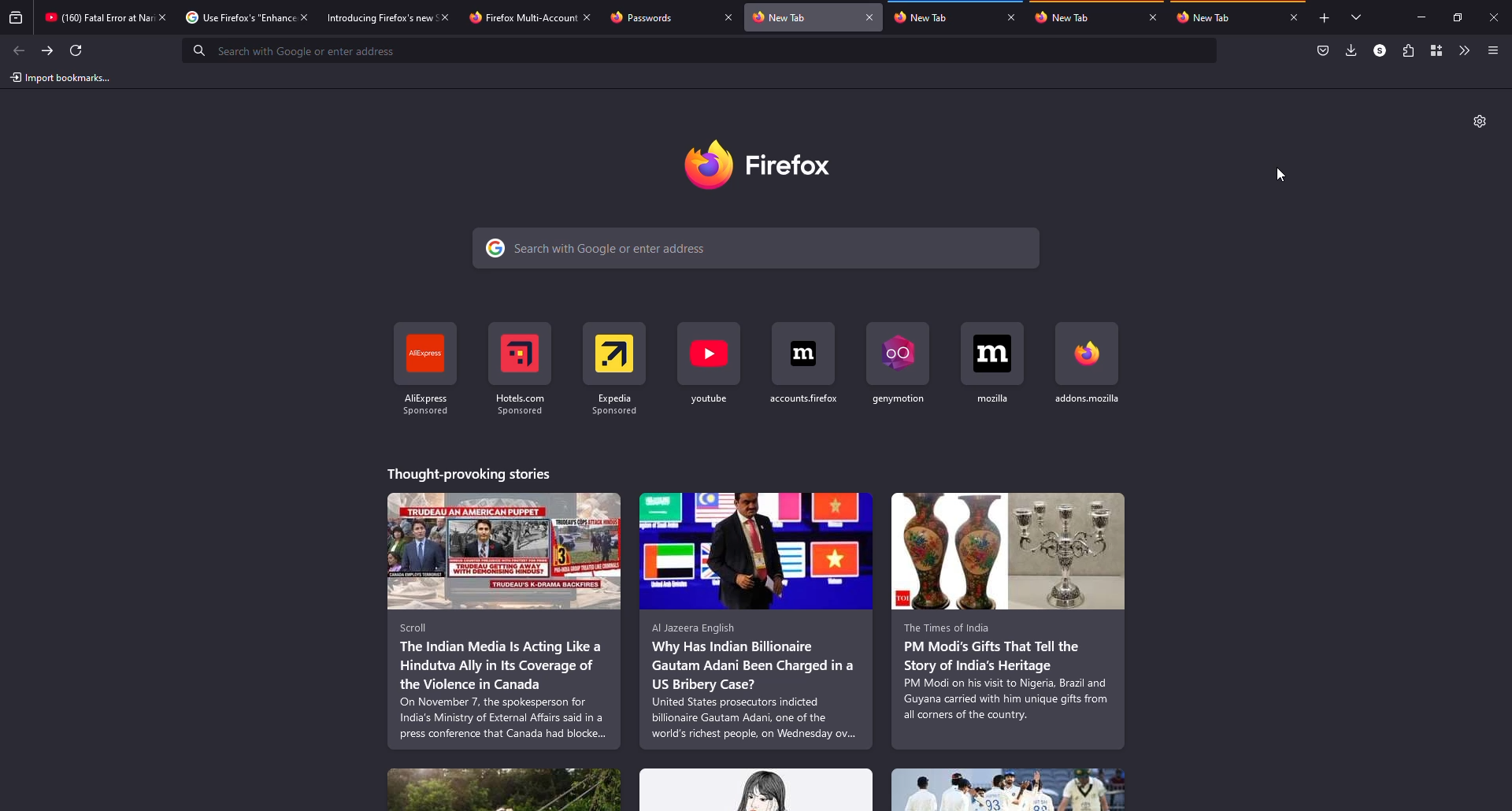  What do you see at coordinates (1351, 51) in the screenshot?
I see `downloads` at bounding box center [1351, 51].